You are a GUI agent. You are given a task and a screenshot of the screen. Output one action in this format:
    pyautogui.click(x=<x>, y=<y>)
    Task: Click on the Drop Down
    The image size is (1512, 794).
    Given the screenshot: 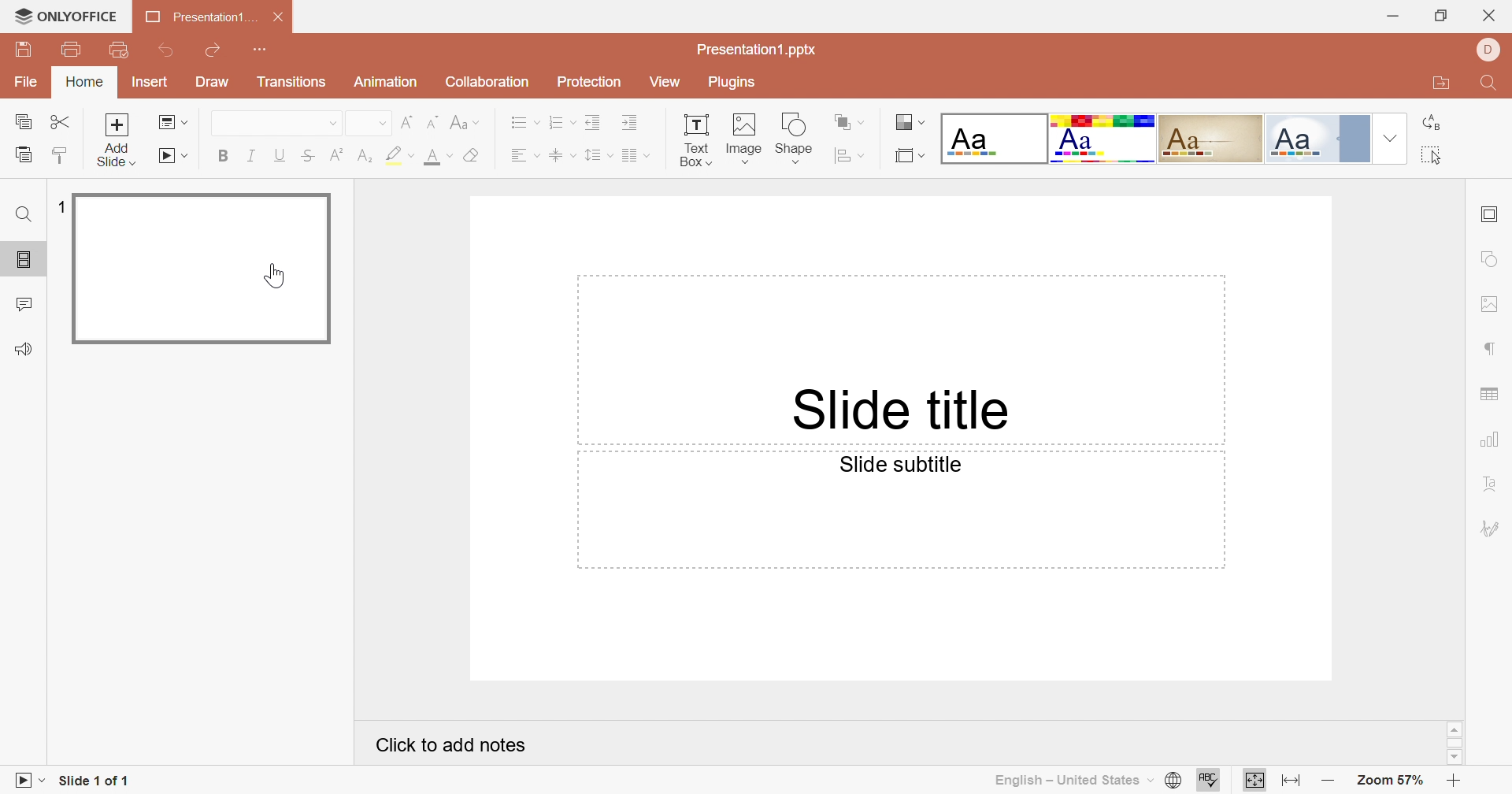 What is the action you would take?
    pyautogui.click(x=480, y=122)
    